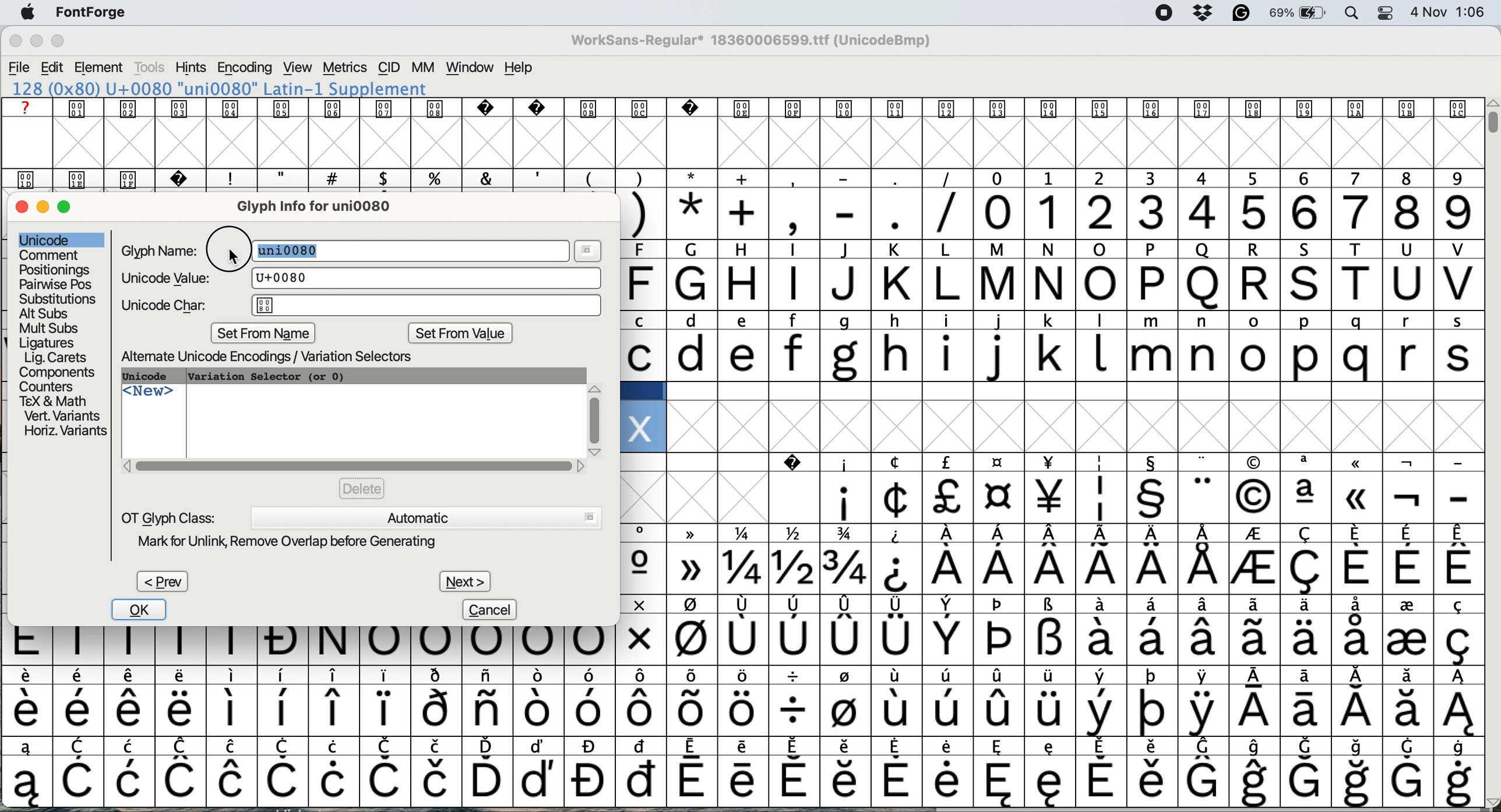  I want to click on vertical scroll bar, so click(595, 415).